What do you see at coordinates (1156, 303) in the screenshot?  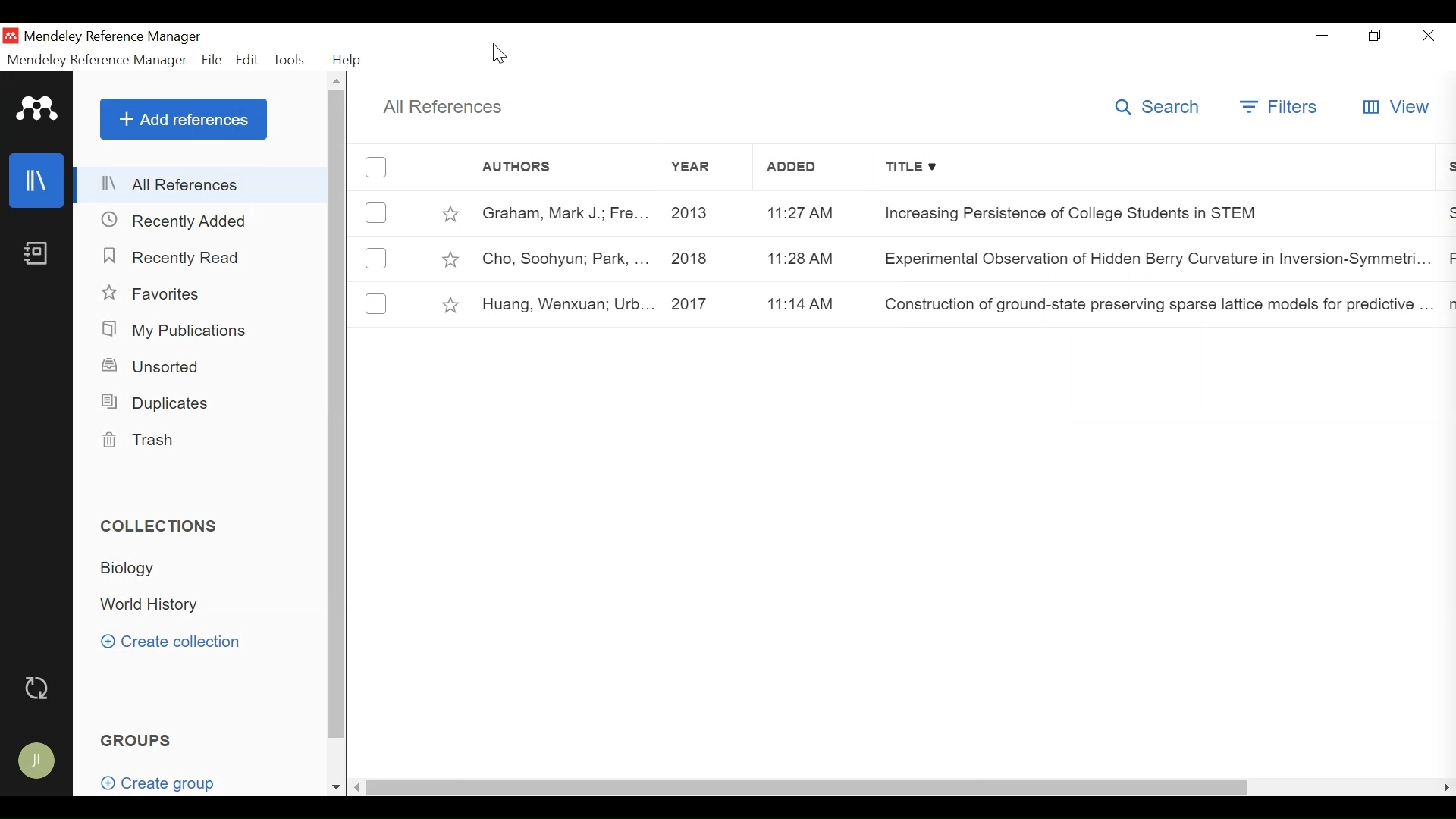 I see `Construction of ground-state preserving sparse lattice models for predictive` at bounding box center [1156, 303].